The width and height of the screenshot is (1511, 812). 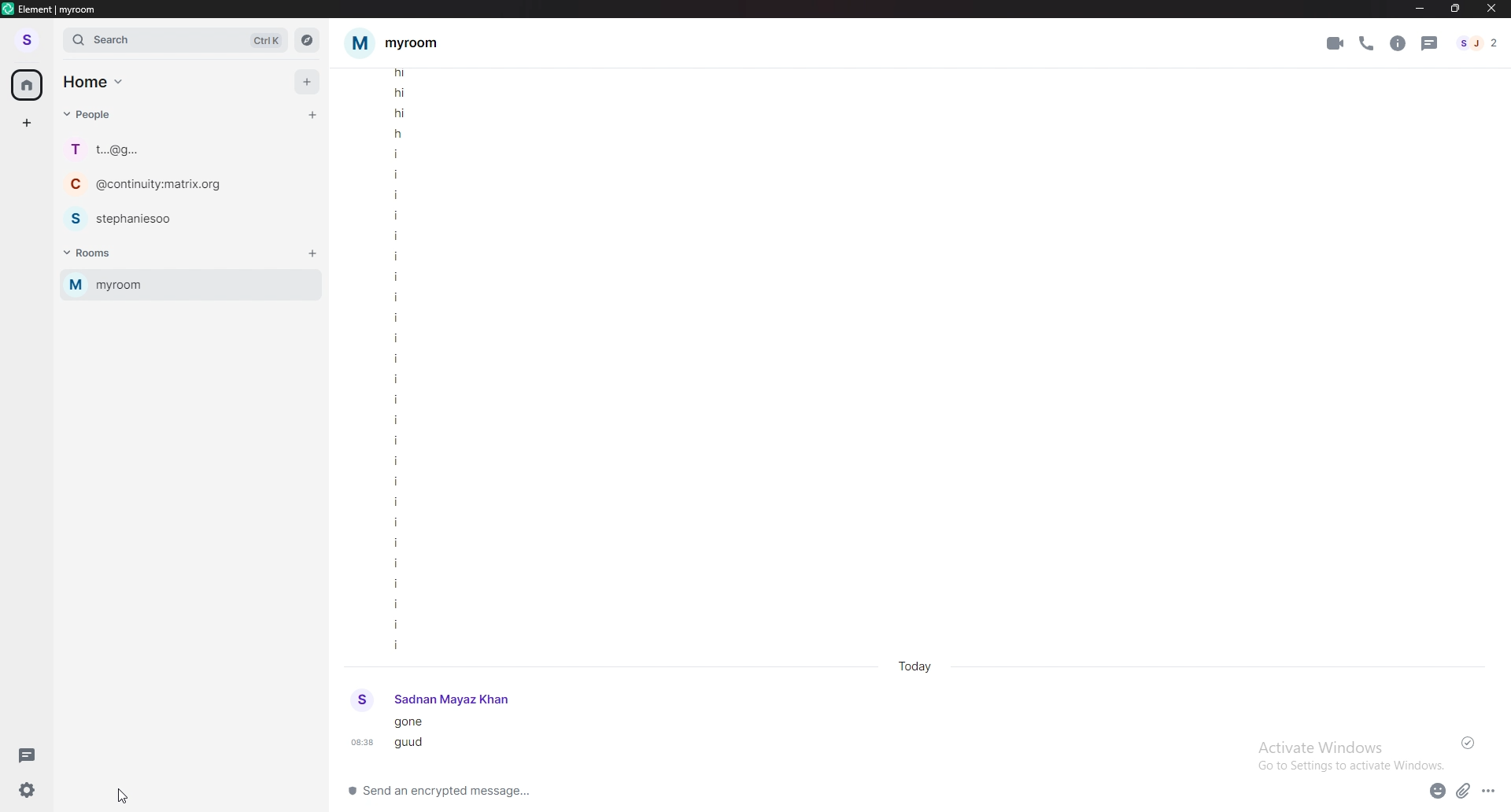 I want to click on start chat, so click(x=312, y=116).